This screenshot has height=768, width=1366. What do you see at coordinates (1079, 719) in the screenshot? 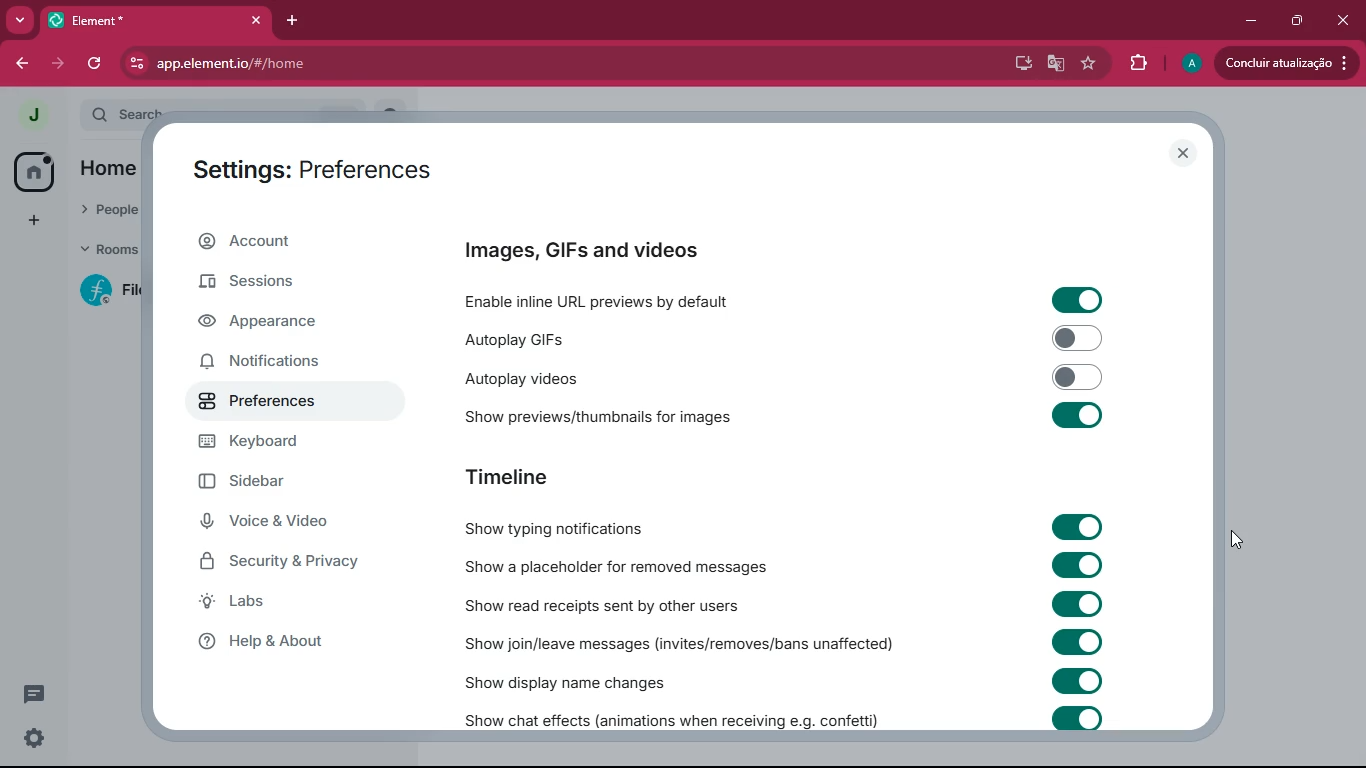
I see `toggle on/off` at bounding box center [1079, 719].